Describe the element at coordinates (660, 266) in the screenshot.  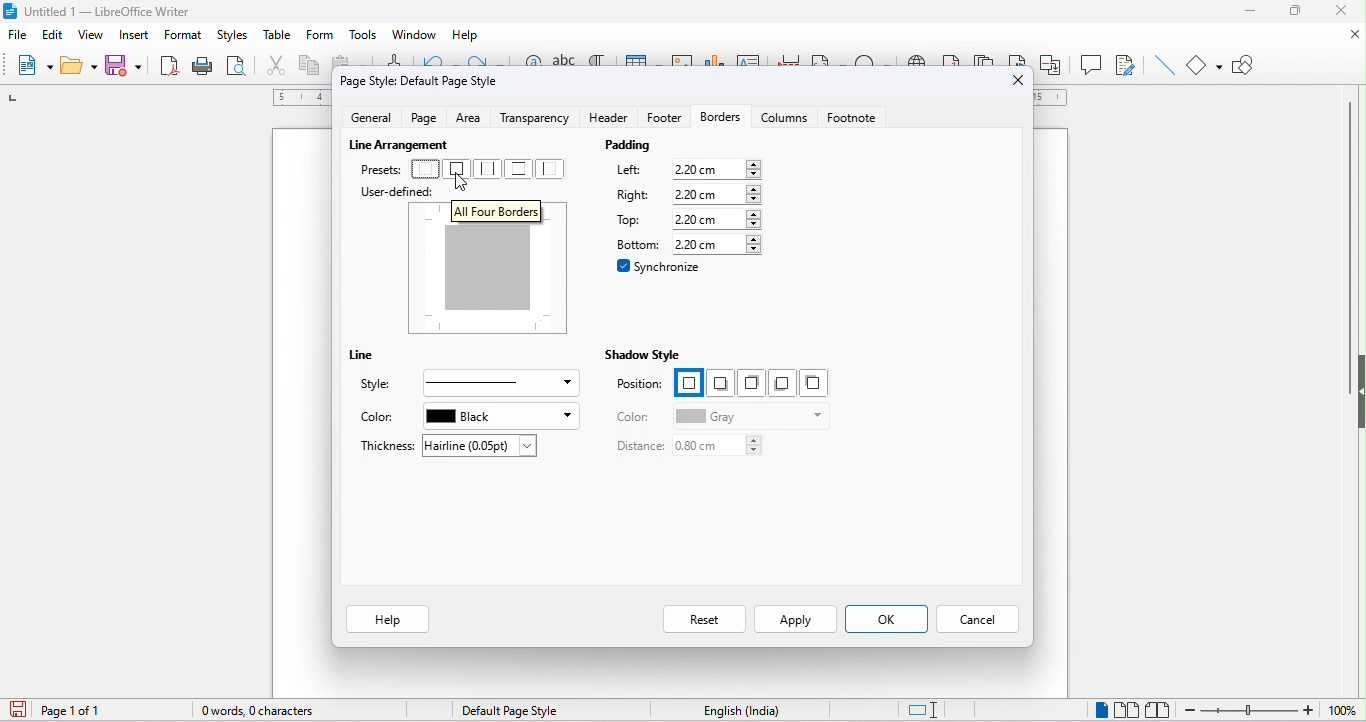
I see `synchronize` at that location.